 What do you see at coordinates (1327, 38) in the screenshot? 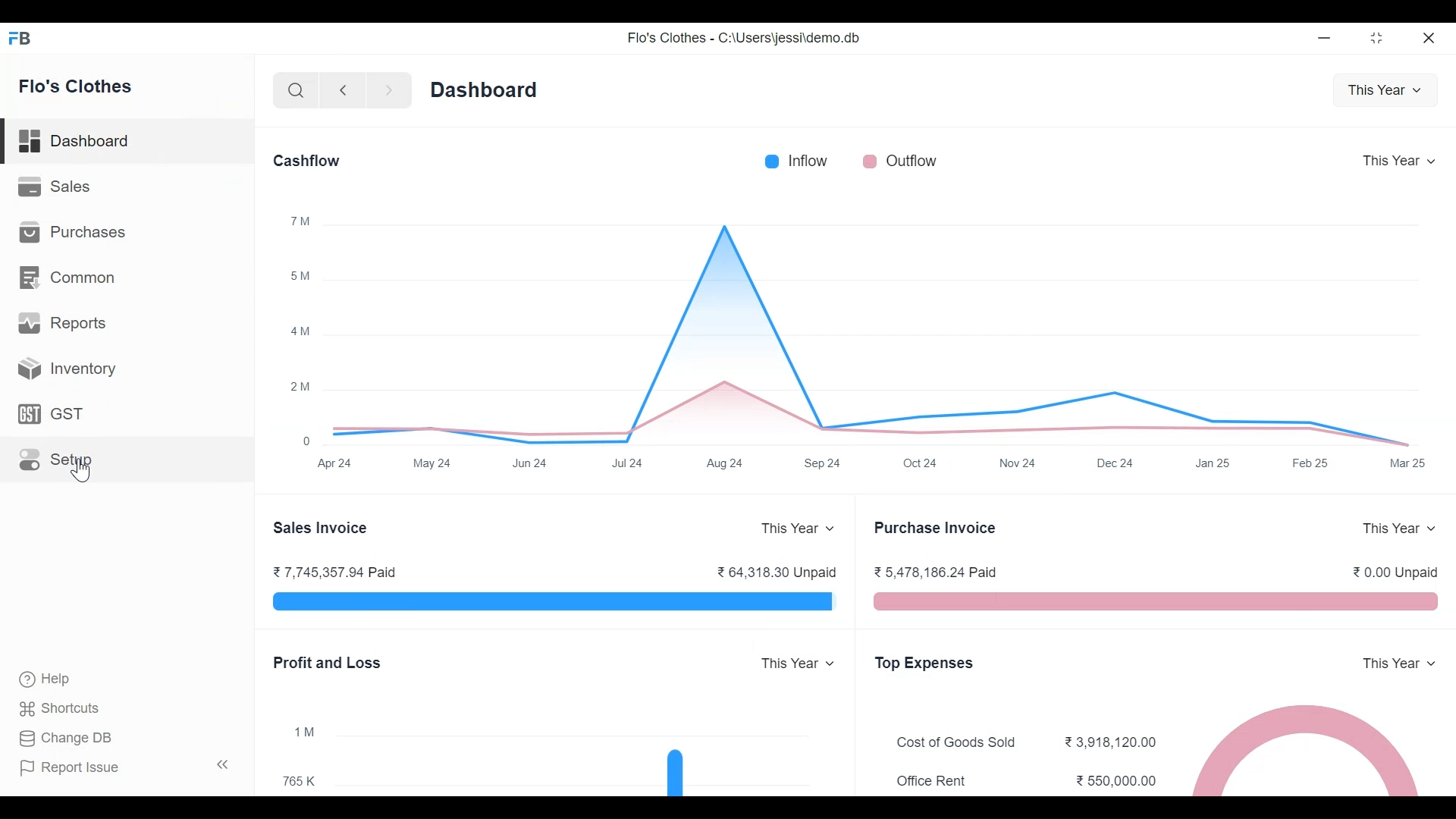
I see `minimize` at bounding box center [1327, 38].